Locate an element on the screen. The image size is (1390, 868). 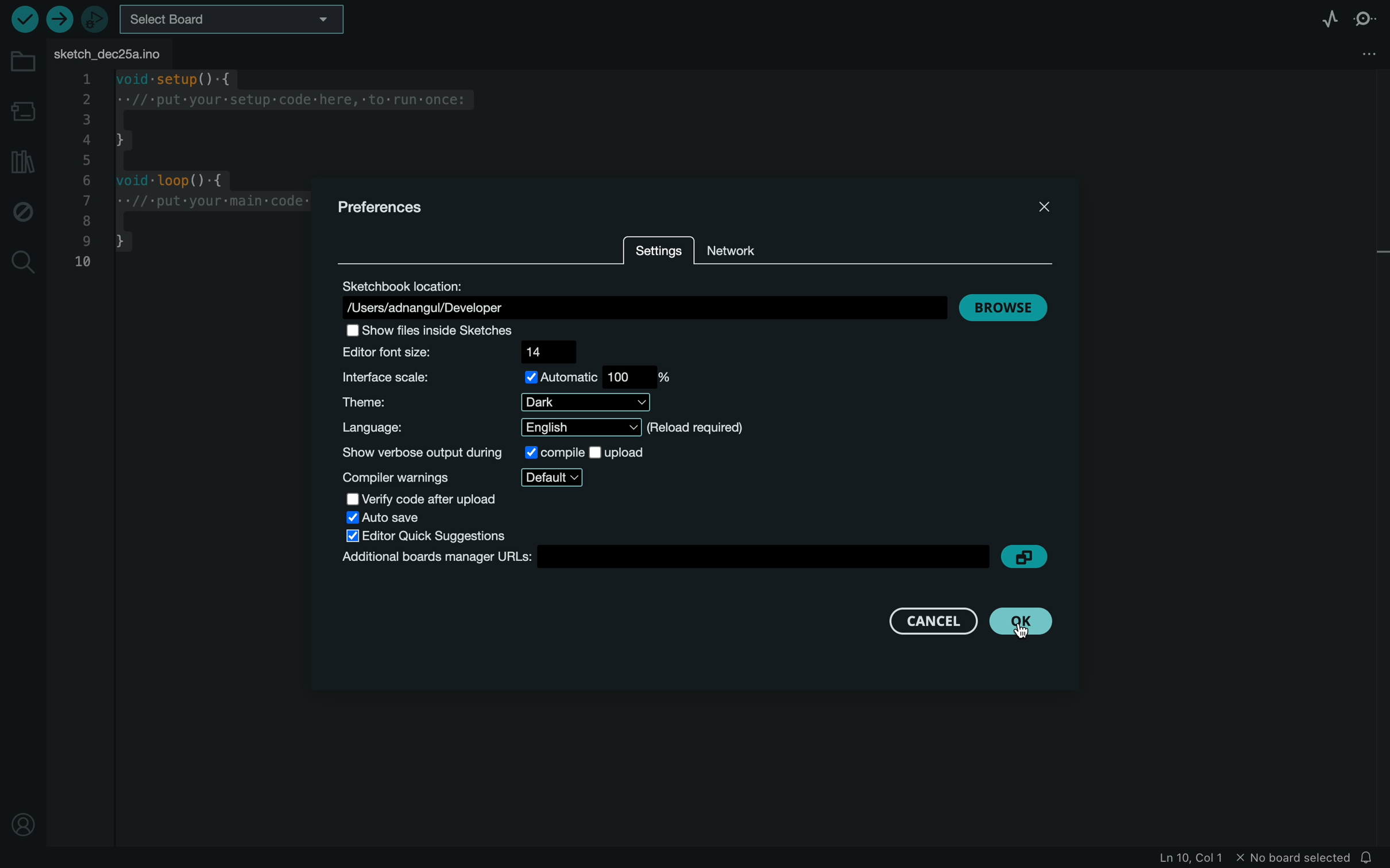
scale is located at coordinates (508, 377).